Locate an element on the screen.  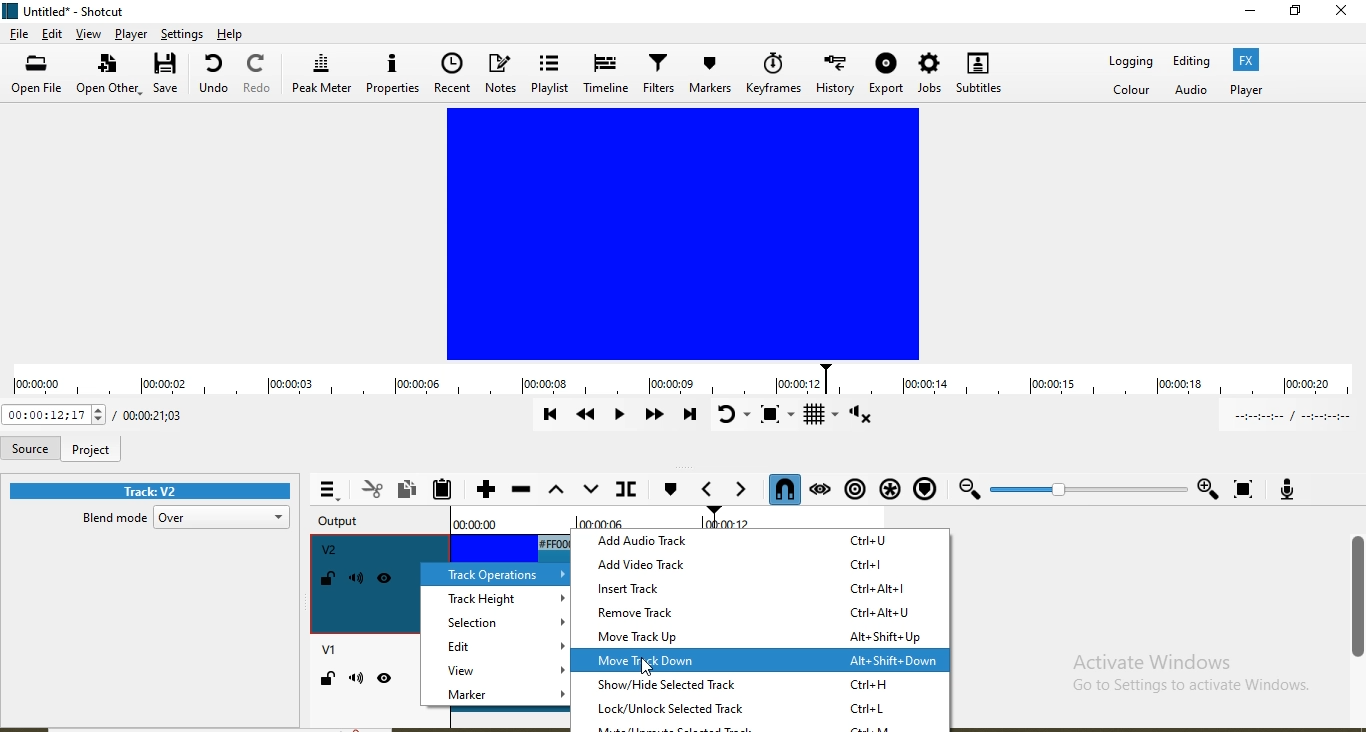
Player is located at coordinates (131, 34).